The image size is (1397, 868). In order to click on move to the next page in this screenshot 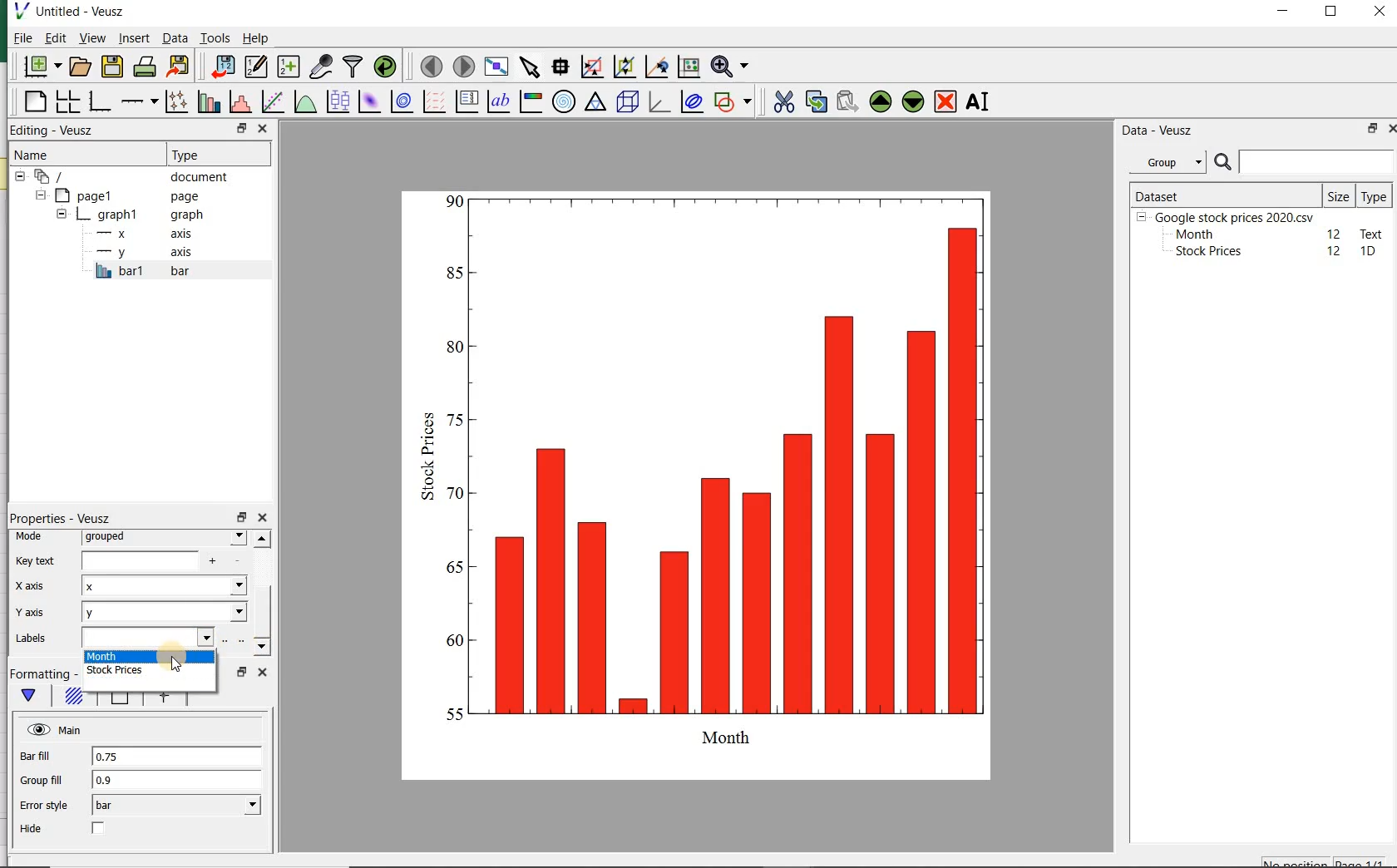, I will do `click(464, 67)`.